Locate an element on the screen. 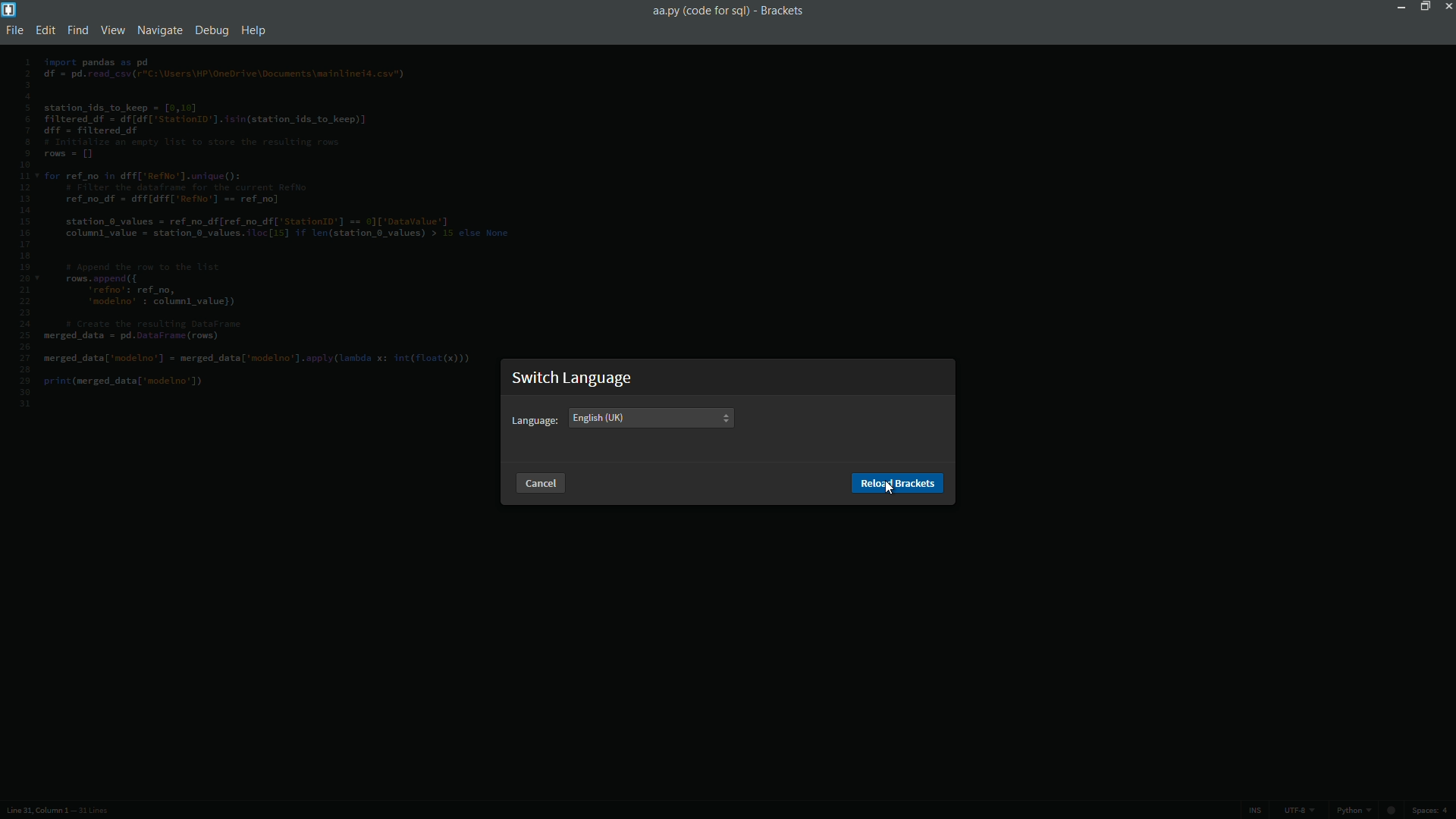  reload brackets is located at coordinates (898, 484).